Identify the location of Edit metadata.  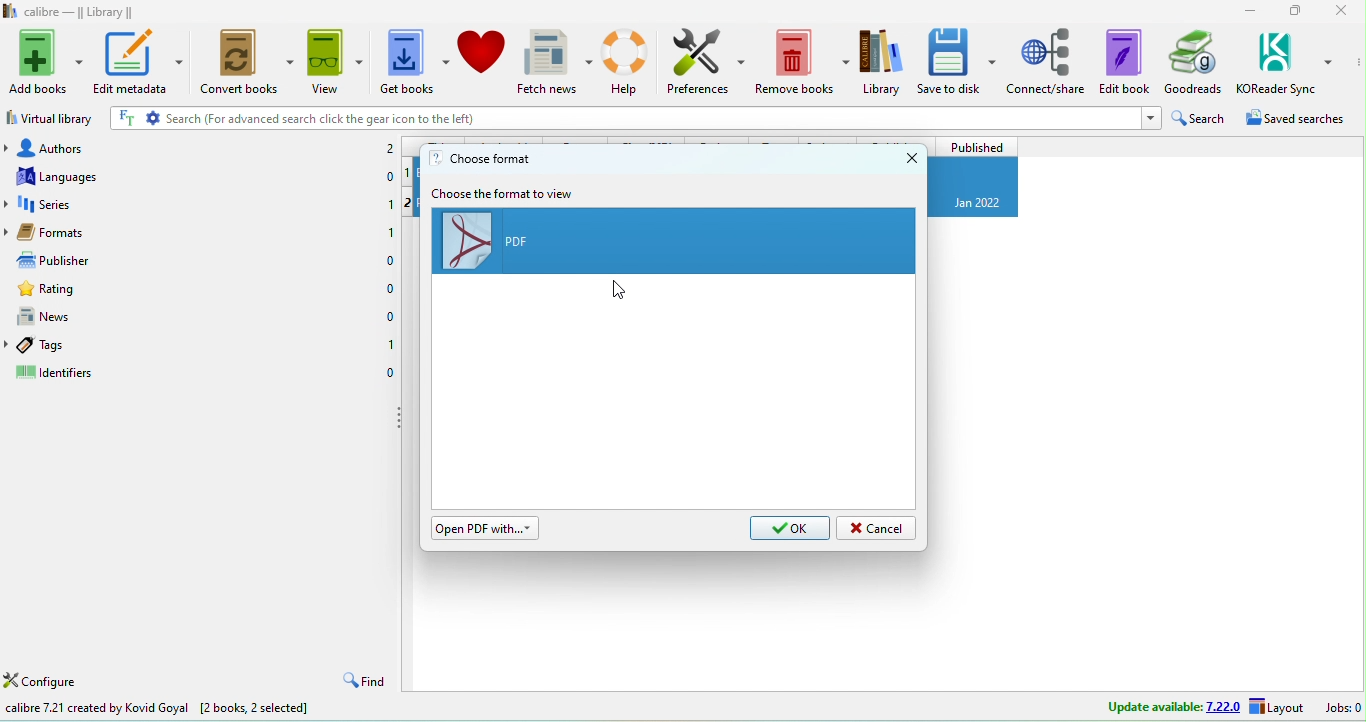
(142, 61).